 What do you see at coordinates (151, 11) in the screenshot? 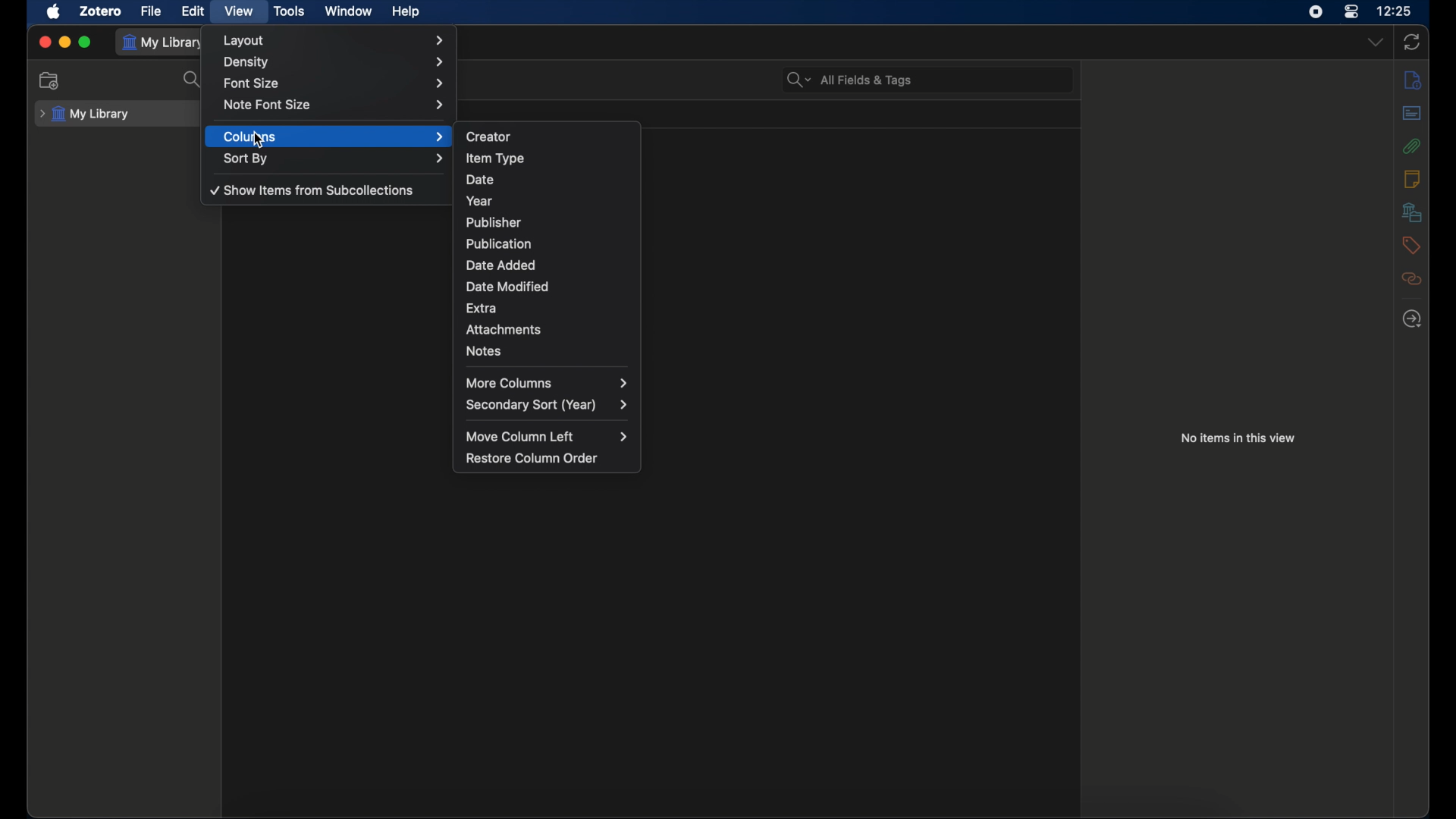
I see `file` at bounding box center [151, 11].